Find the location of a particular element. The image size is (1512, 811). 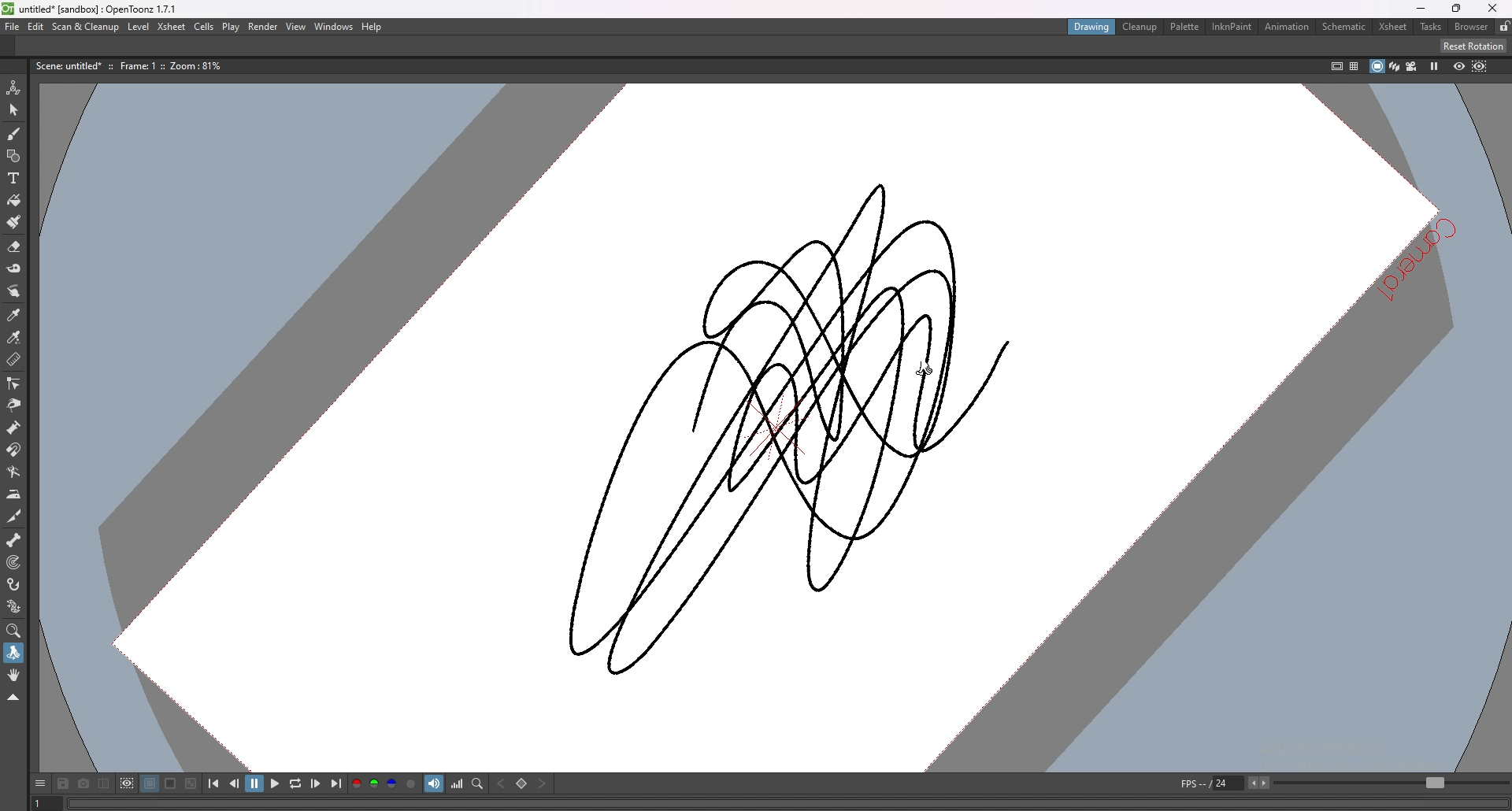

safe area is located at coordinates (1337, 65).